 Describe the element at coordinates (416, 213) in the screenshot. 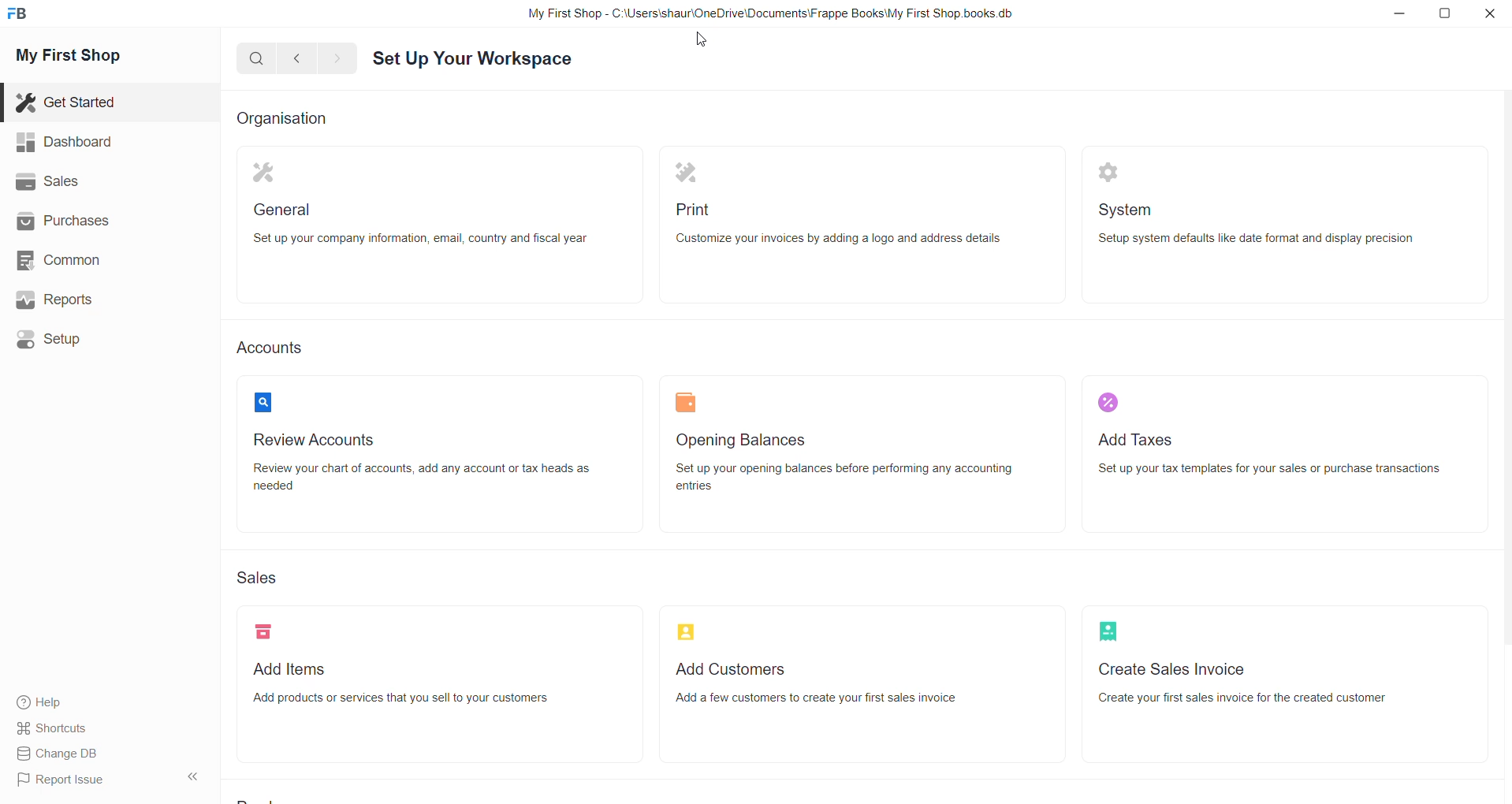

I see `General` at that location.